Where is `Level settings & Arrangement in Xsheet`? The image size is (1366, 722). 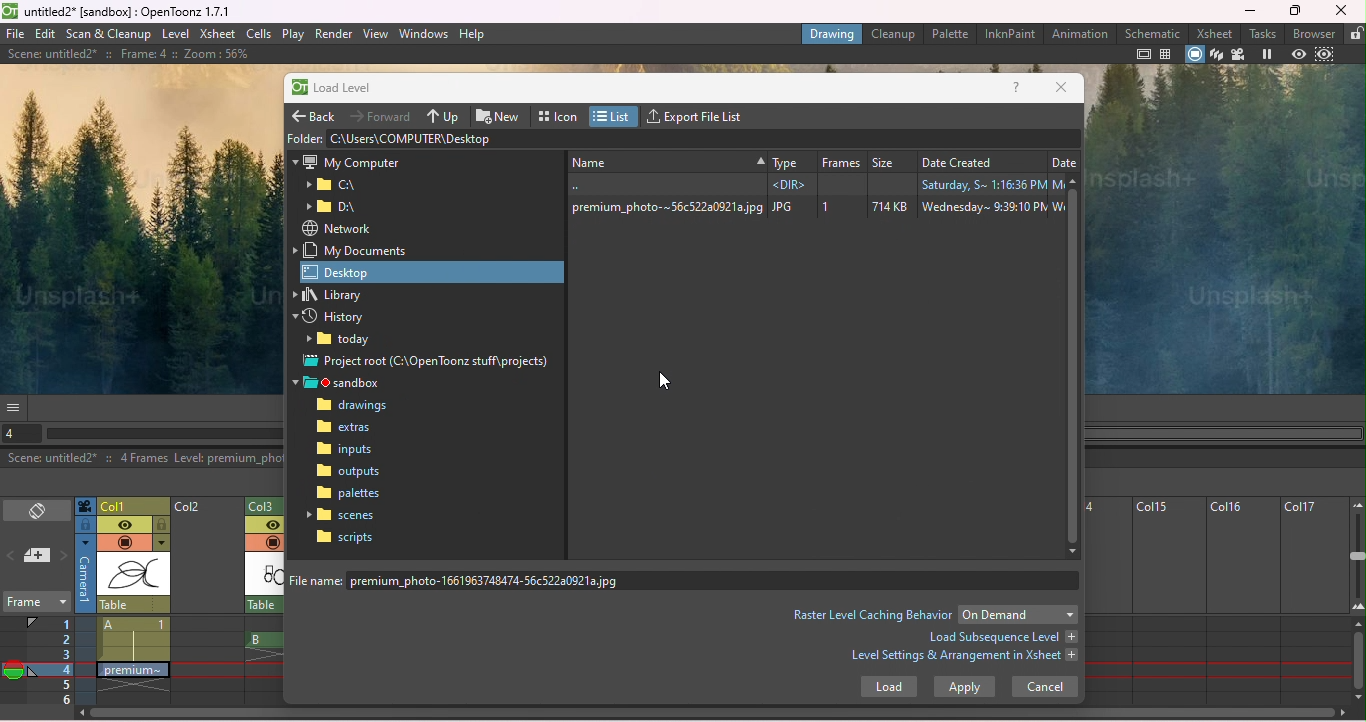 Level settings & Arrangement in Xsheet is located at coordinates (965, 658).